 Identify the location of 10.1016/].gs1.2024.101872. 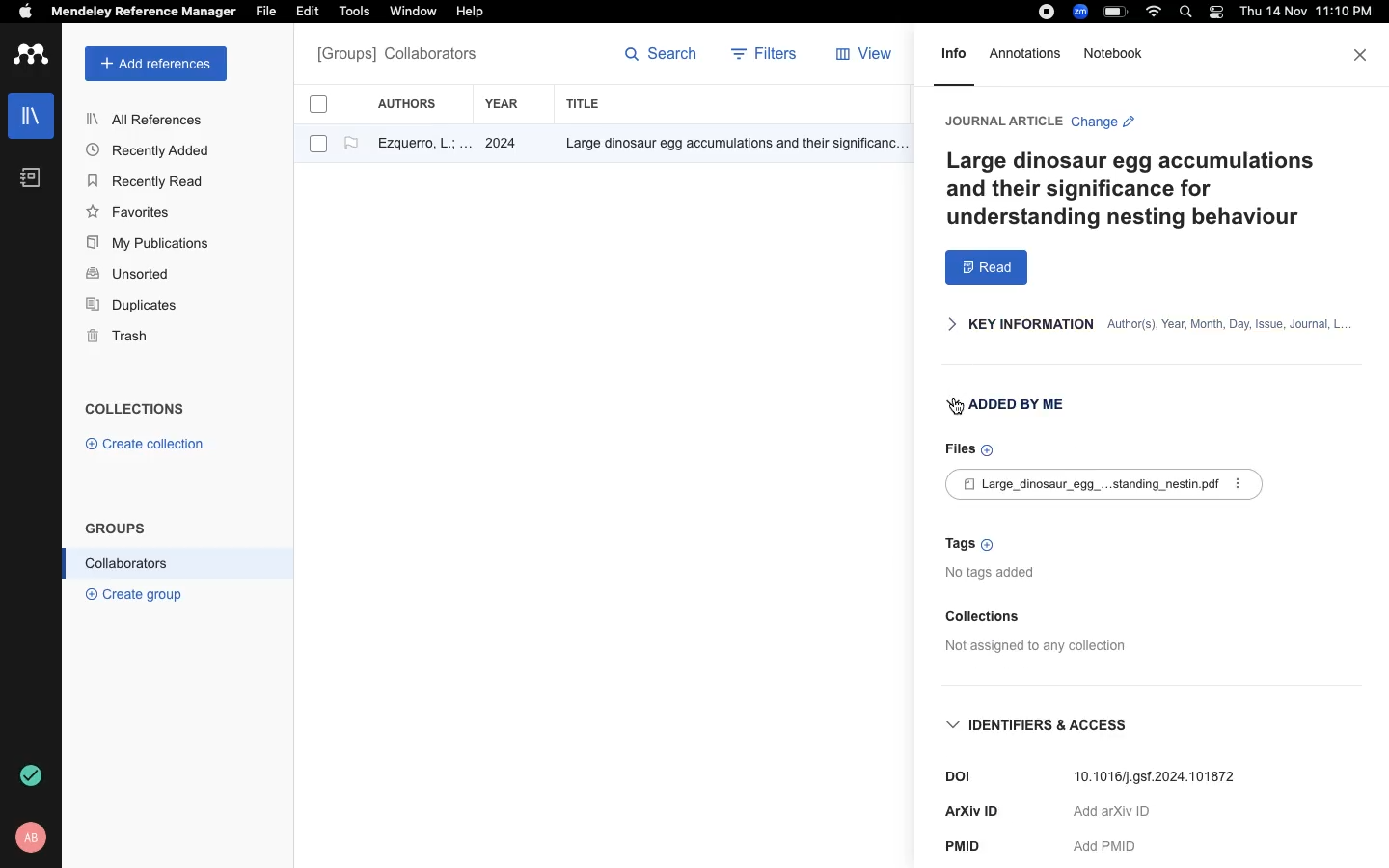
(1156, 773).